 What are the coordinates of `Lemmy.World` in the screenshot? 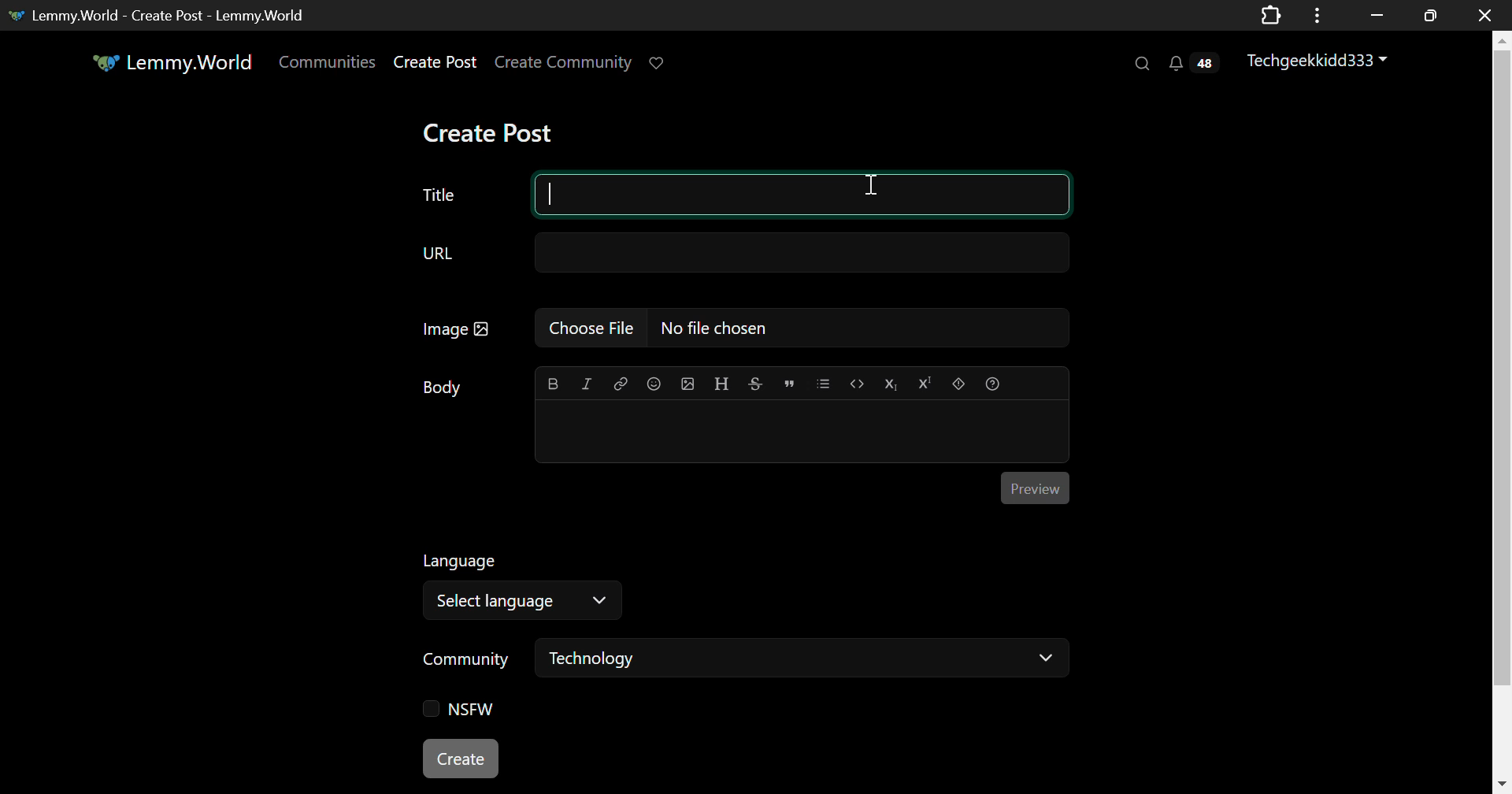 It's located at (169, 63).